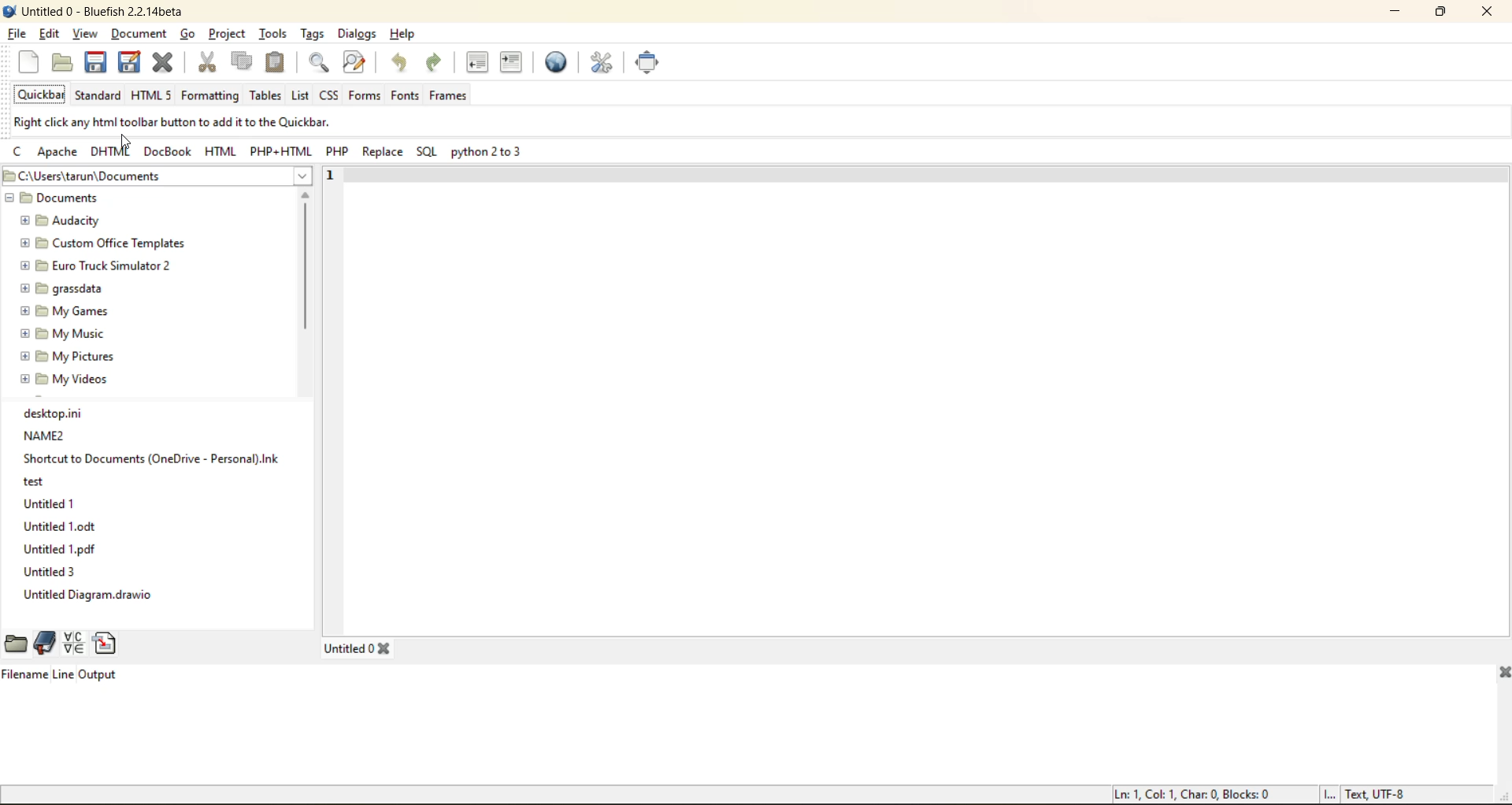 The image size is (1512, 805). Describe the element at coordinates (305, 314) in the screenshot. I see `vertical scroll  bar` at that location.